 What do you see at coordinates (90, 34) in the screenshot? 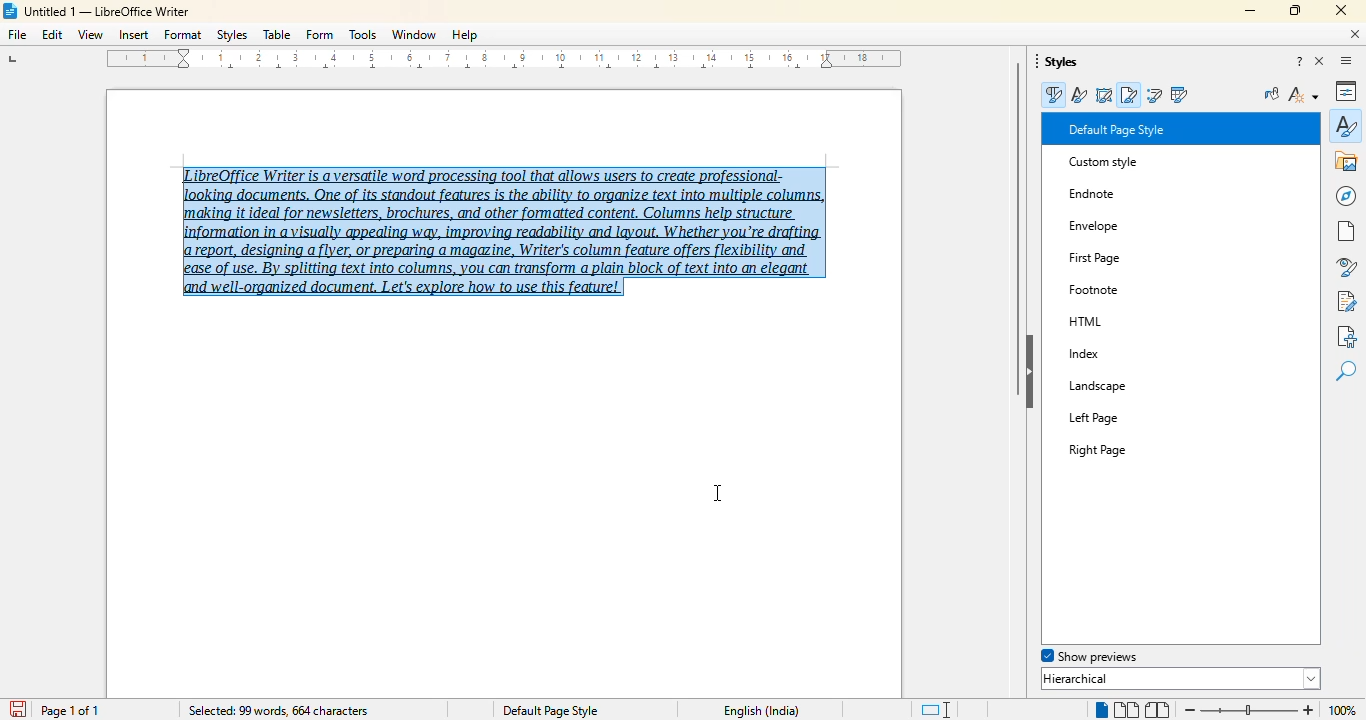
I see `view` at bounding box center [90, 34].